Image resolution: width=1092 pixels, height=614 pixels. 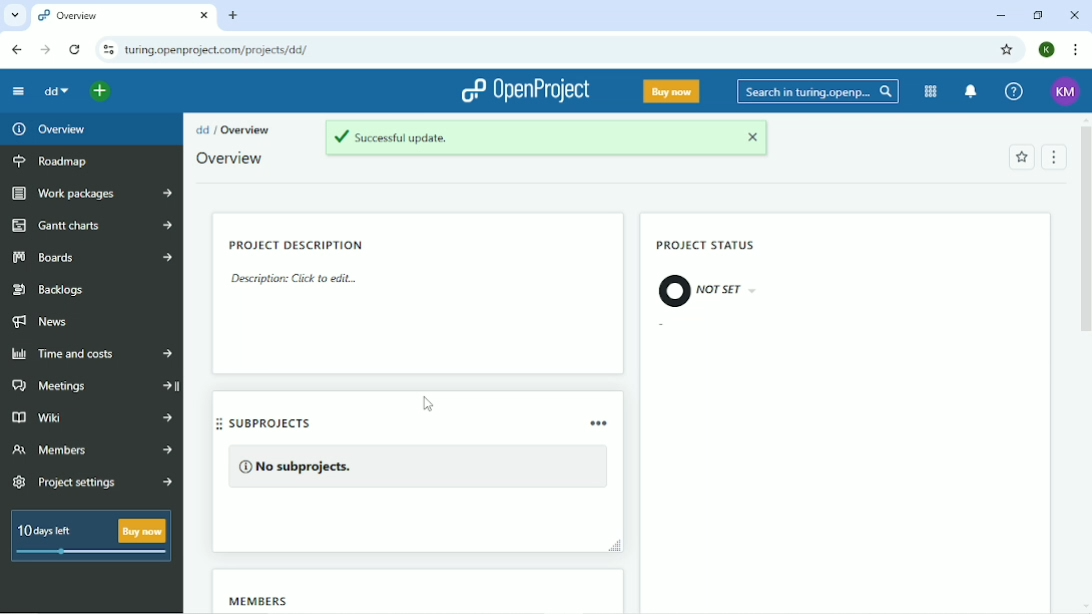 What do you see at coordinates (971, 90) in the screenshot?
I see `To notification center` at bounding box center [971, 90].